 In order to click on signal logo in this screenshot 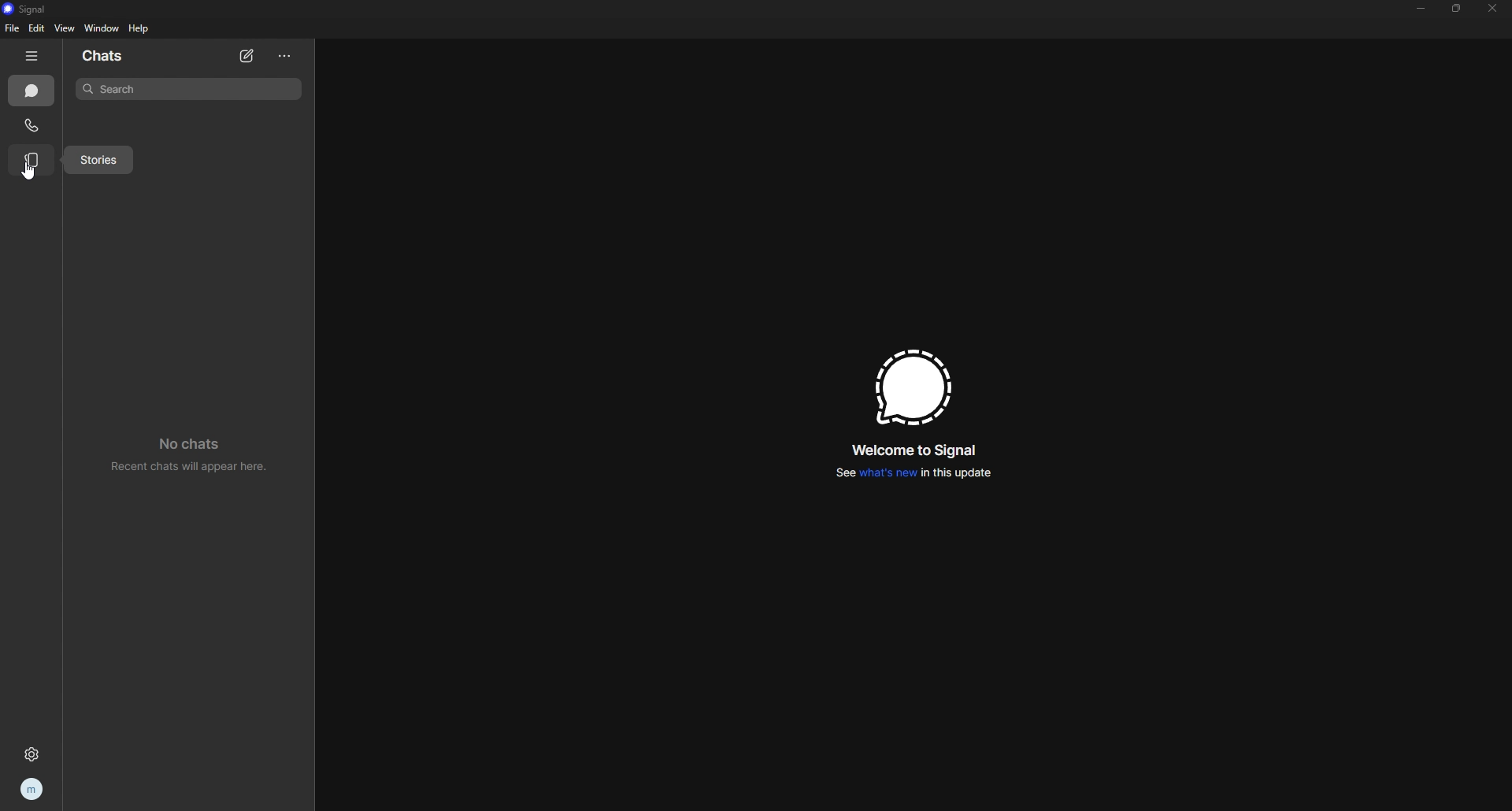, I will do `click(913, 389)`.